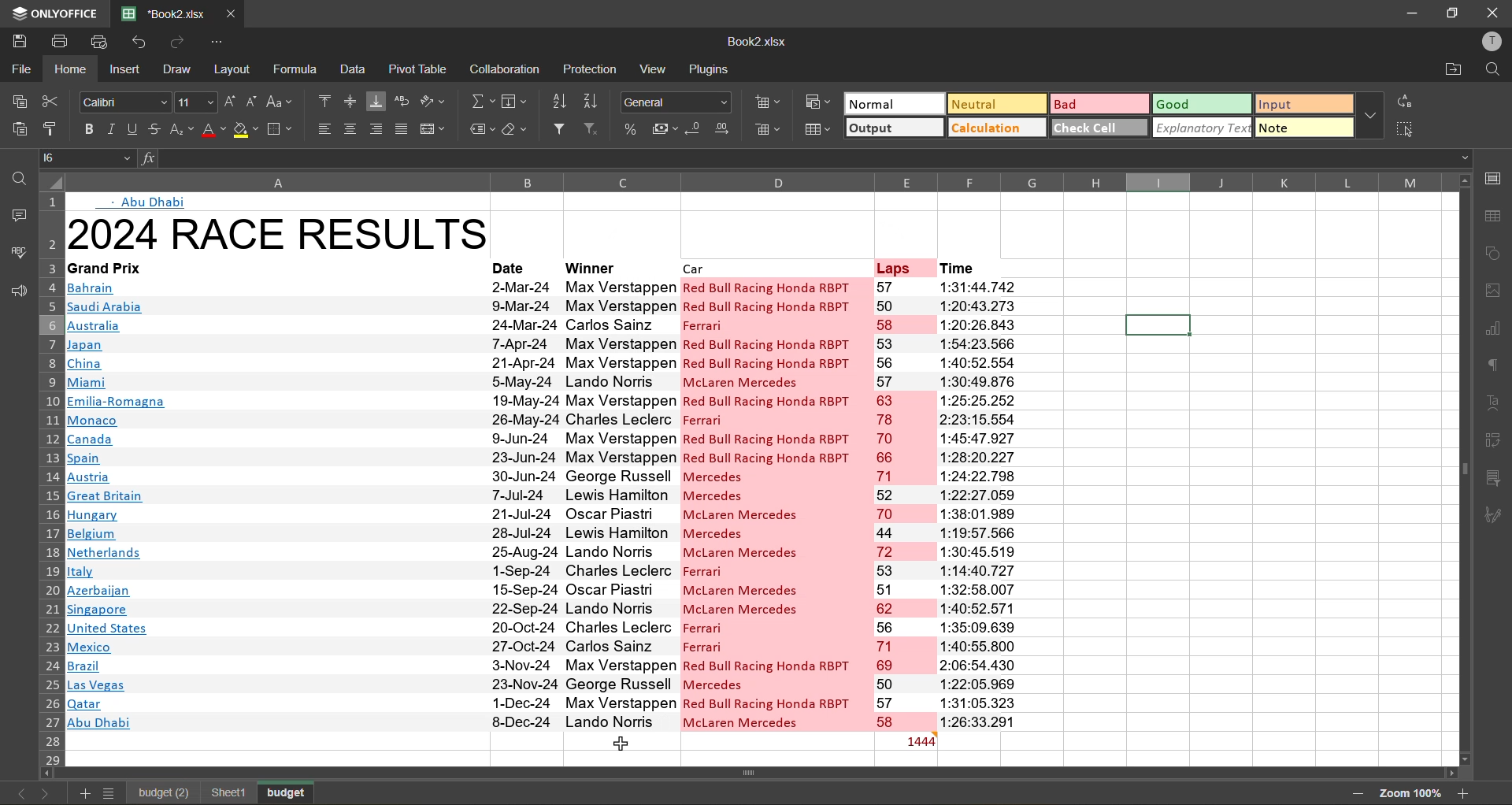  Describe the element at coordinates (750, 182) in the screenshot. I see `column names` at that location.